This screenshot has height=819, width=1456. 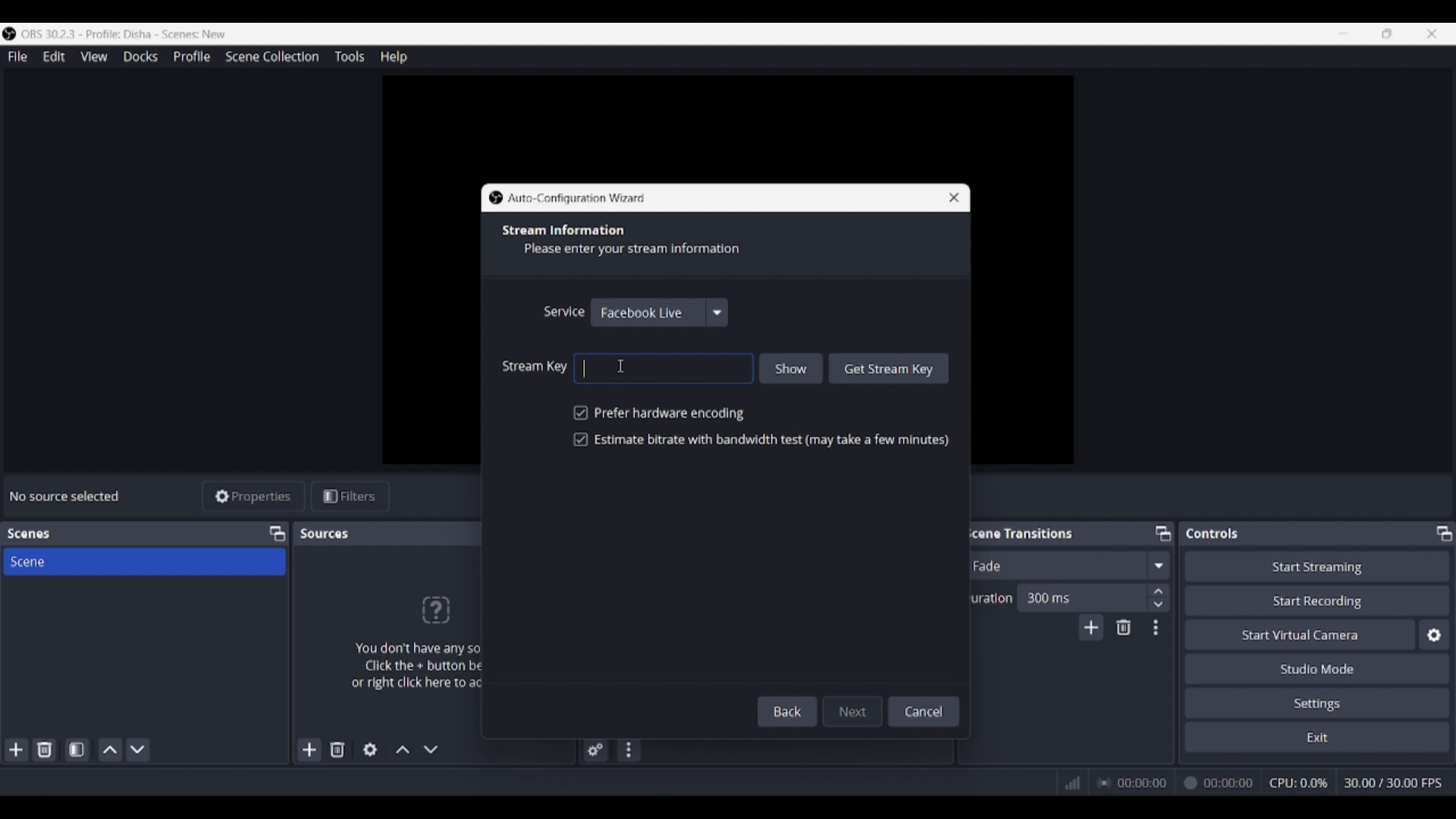 I want to click on Panel title, so click(x=1019, y=532).